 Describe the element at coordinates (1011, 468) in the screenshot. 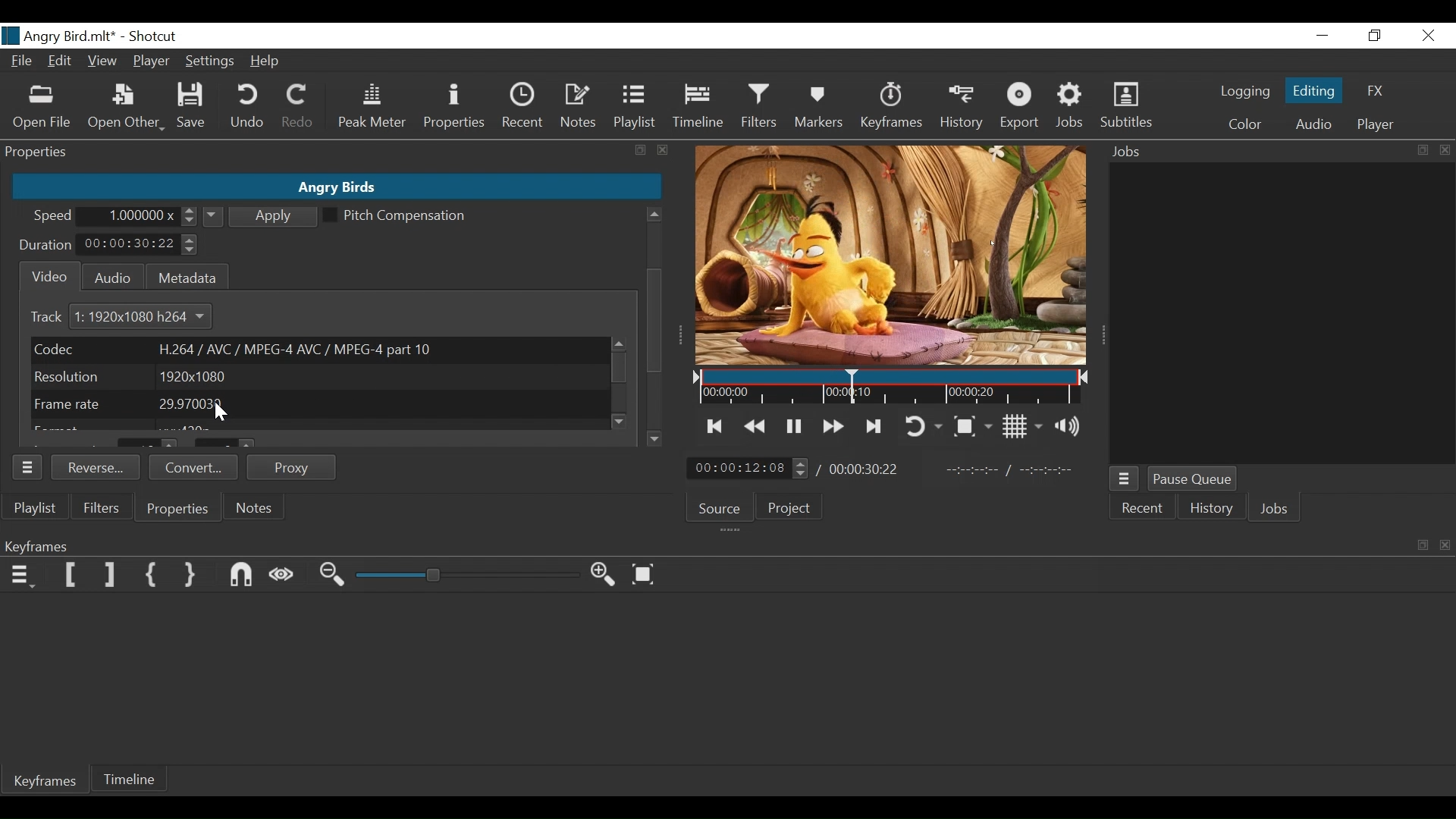

I see `In Point` at that location.